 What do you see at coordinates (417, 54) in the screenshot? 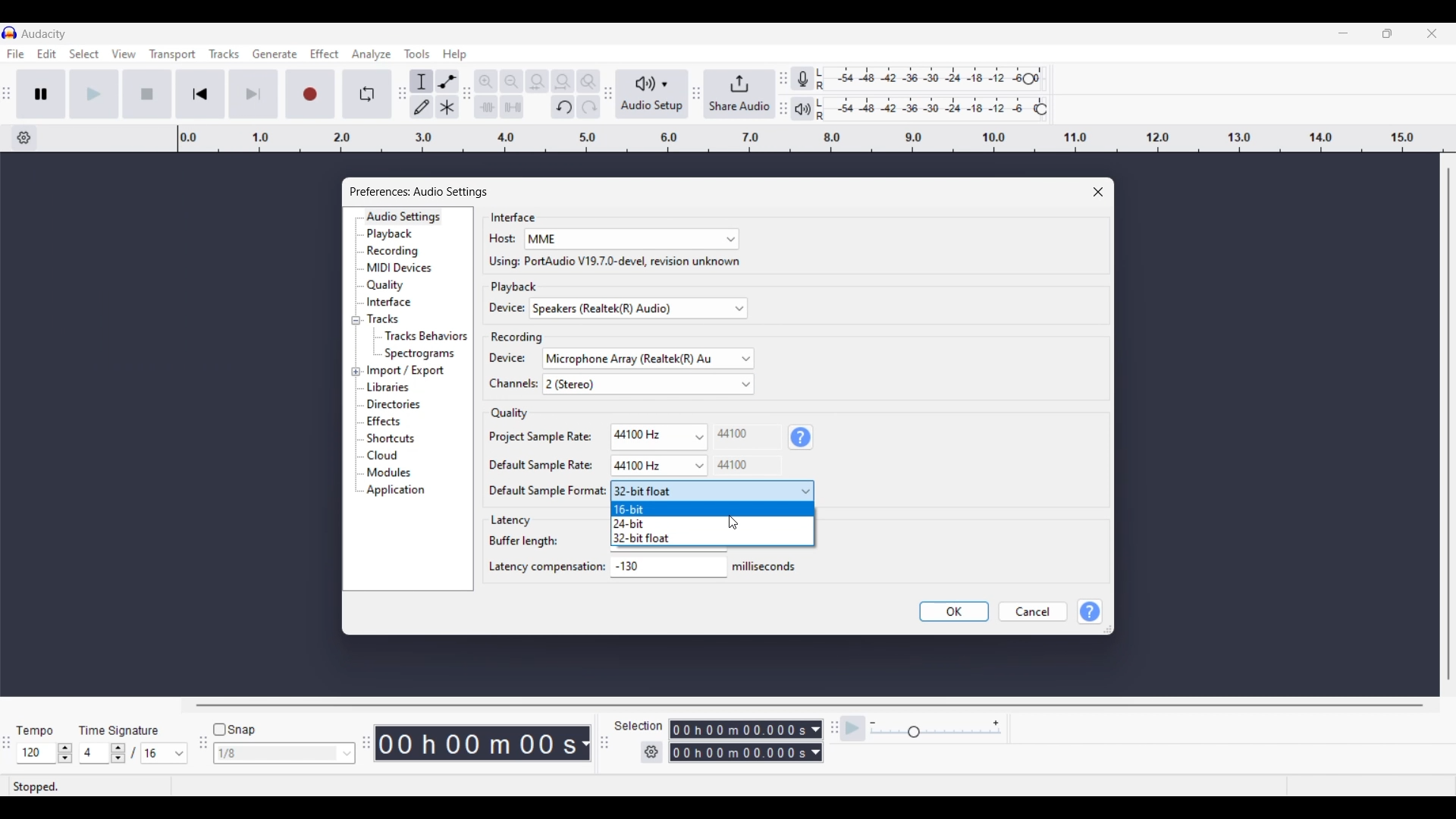
I see `Tools menu` at bounding box center [417, 54].